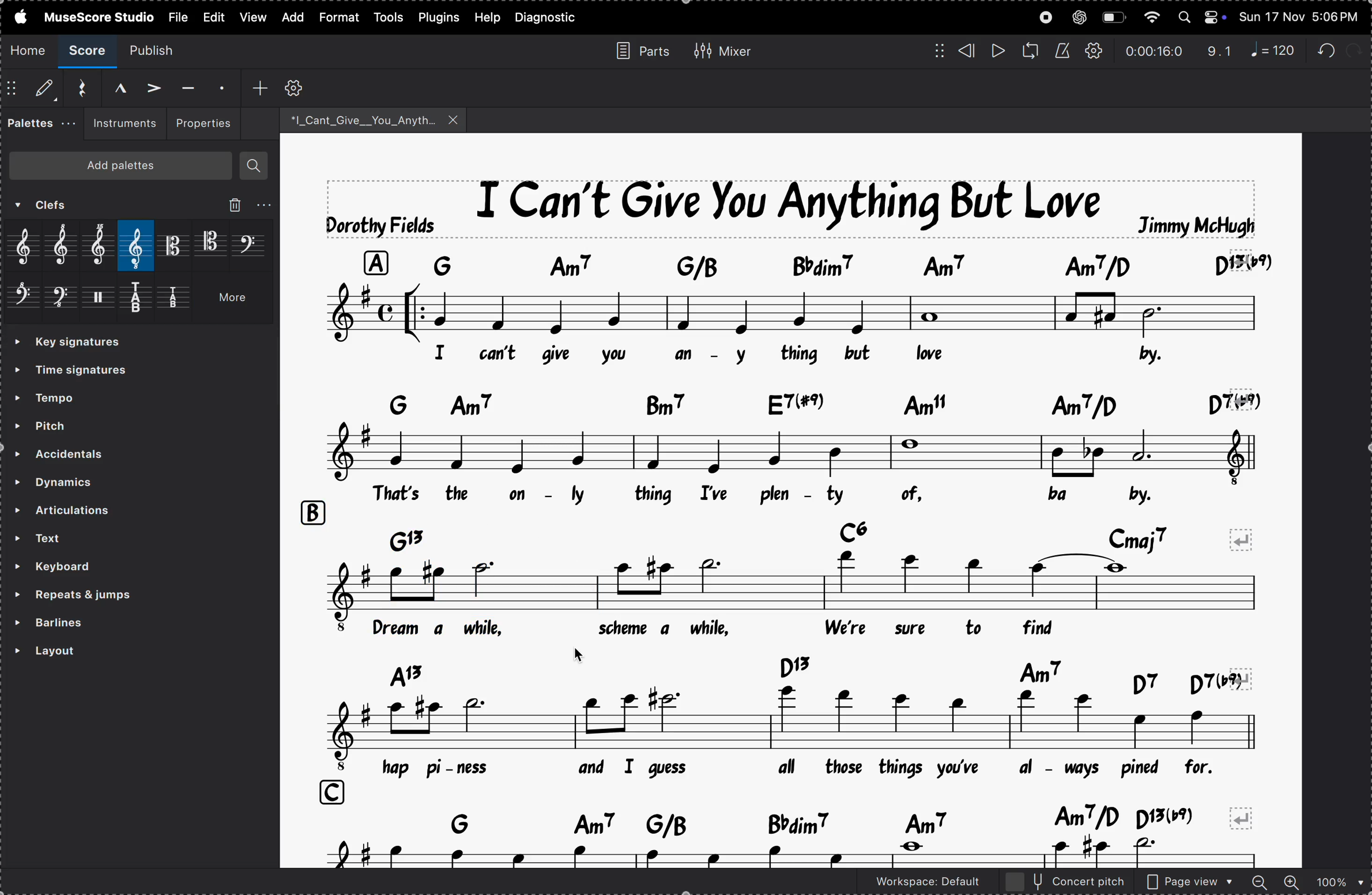  I want to click on battery, so click(1113, 18).